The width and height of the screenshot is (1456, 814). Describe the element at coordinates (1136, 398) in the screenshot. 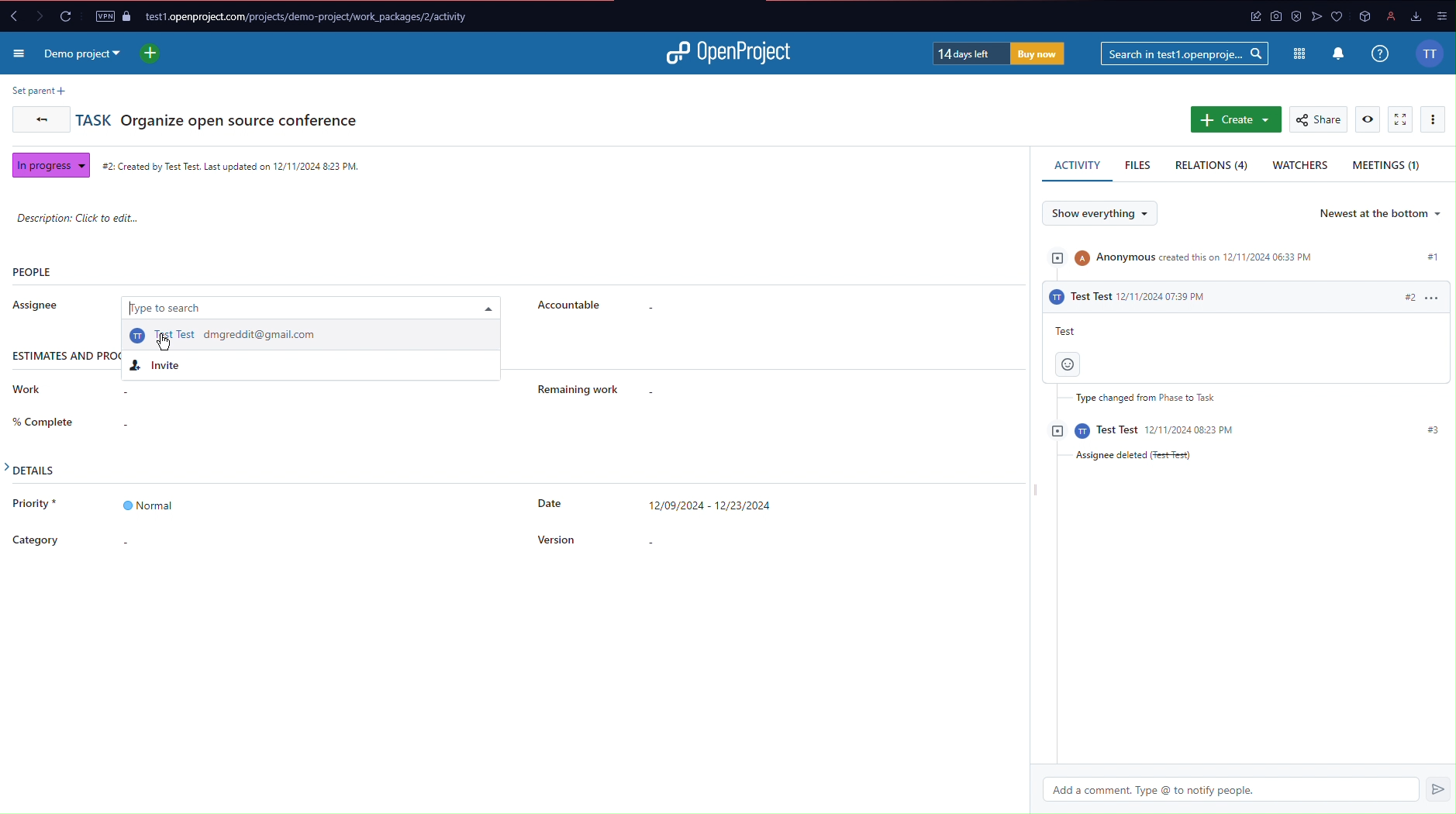

I see `Type changed from Phase to task` at that location.